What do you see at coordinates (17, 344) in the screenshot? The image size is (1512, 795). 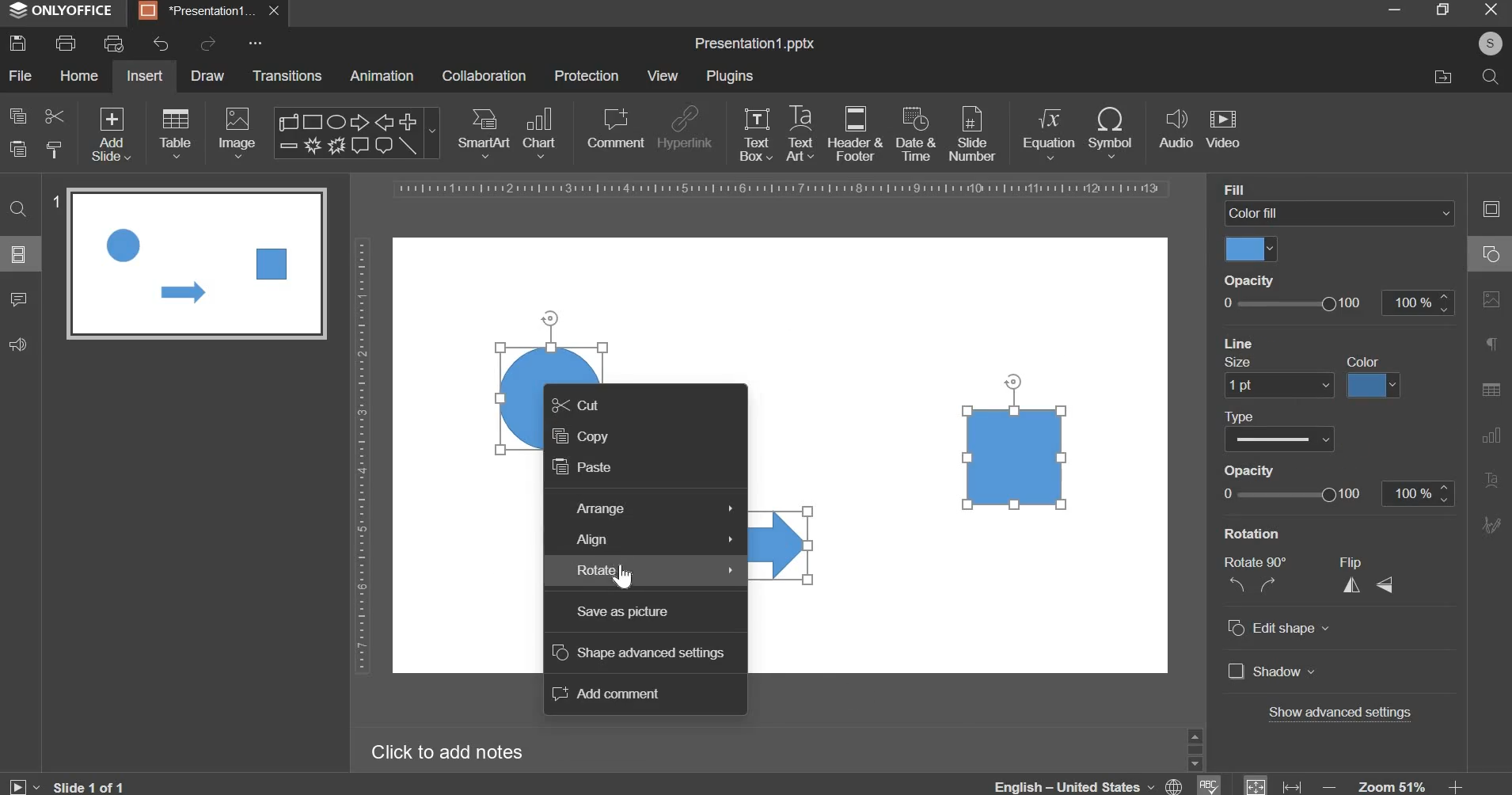 I see `feedback` at bounding box center [17, 344].